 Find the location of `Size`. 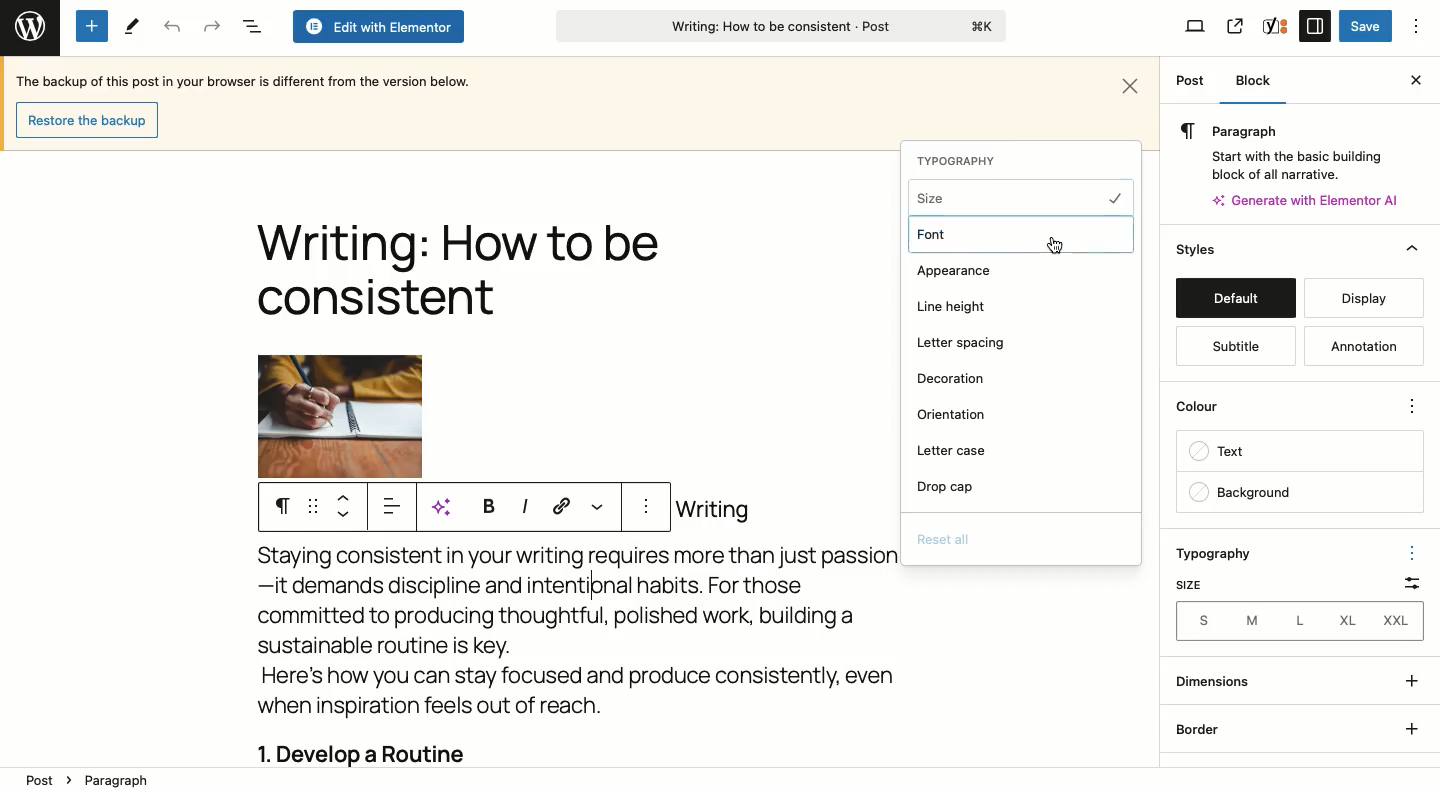

Size is located at coordinates (1015, 197).